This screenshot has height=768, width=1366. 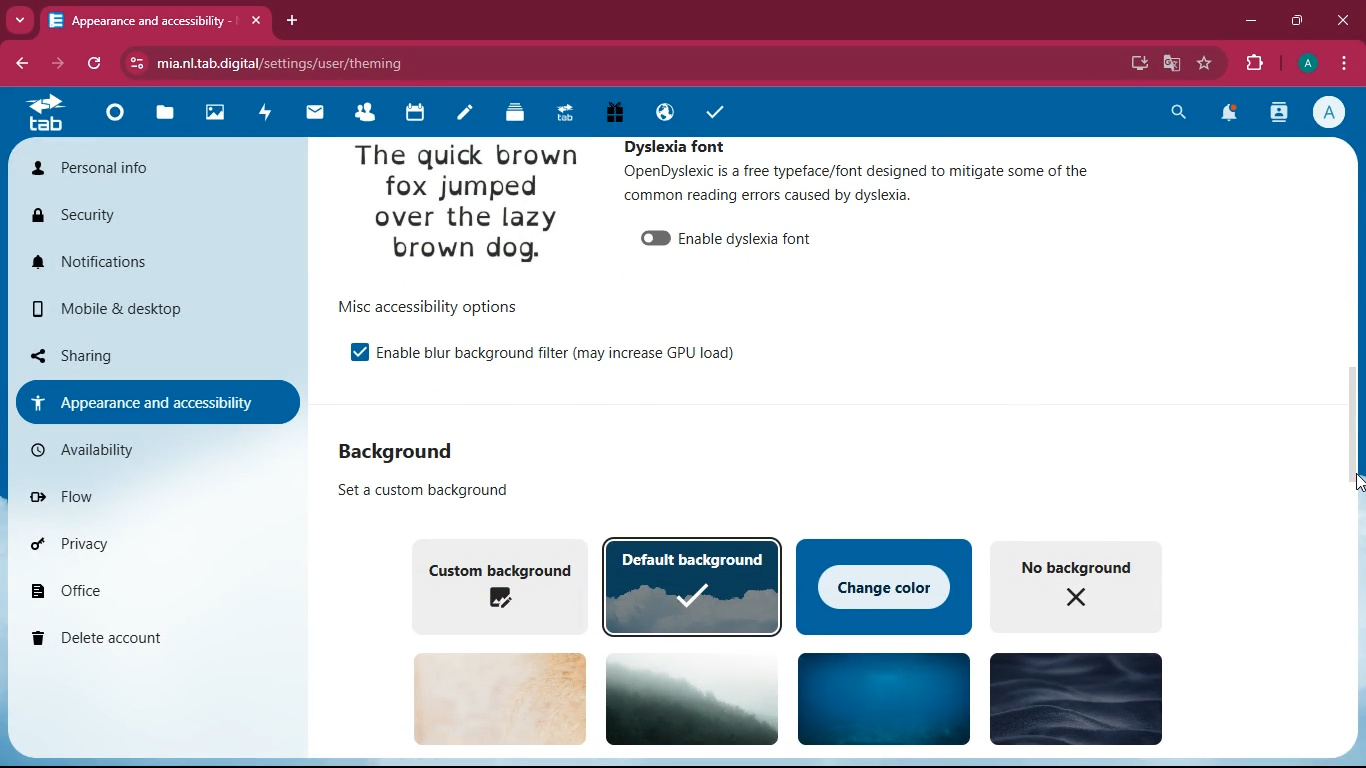 I want to click on office, so click(x=140, y=589).